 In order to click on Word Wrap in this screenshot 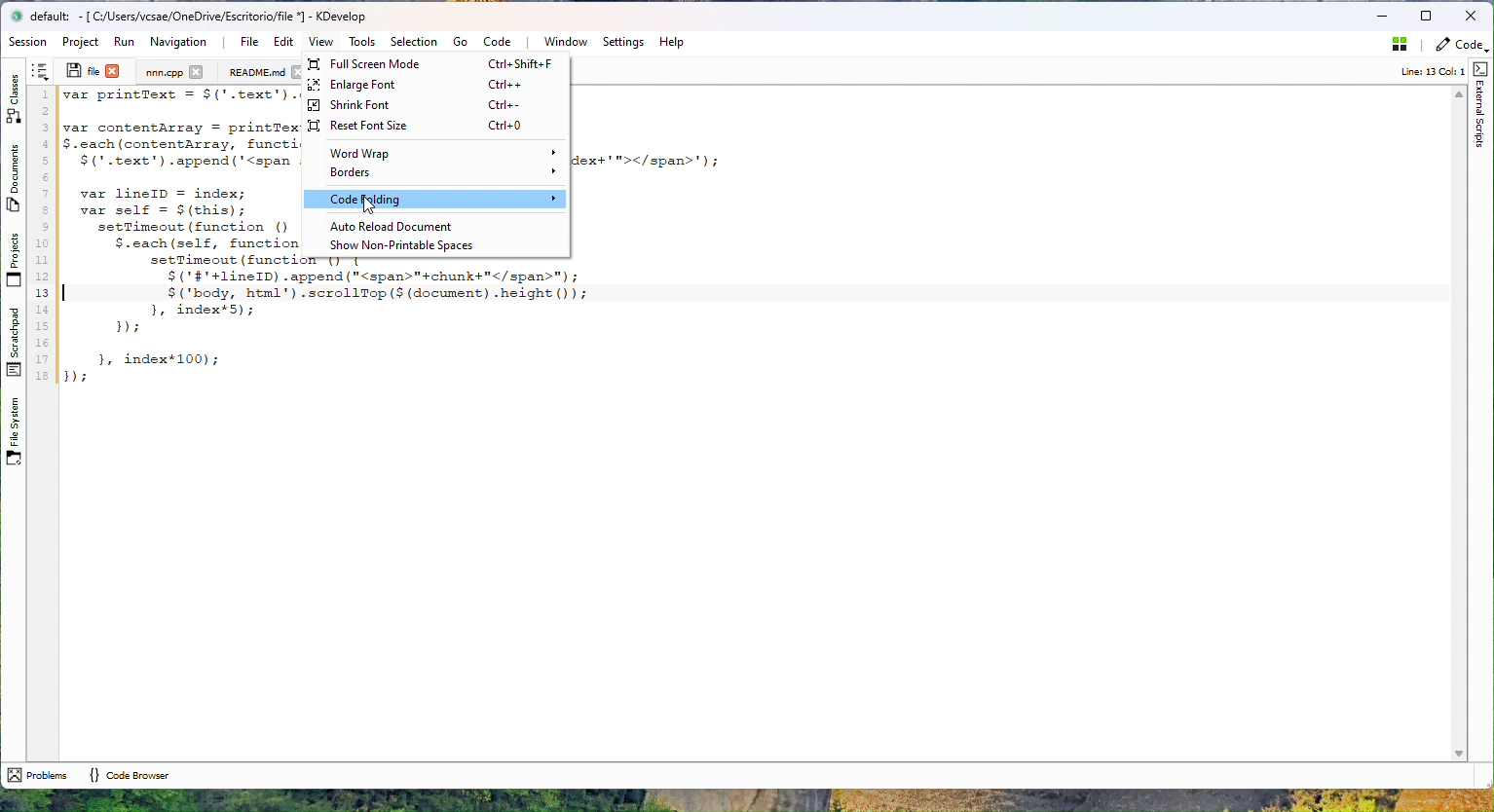, I will do `click(437, 154)`.